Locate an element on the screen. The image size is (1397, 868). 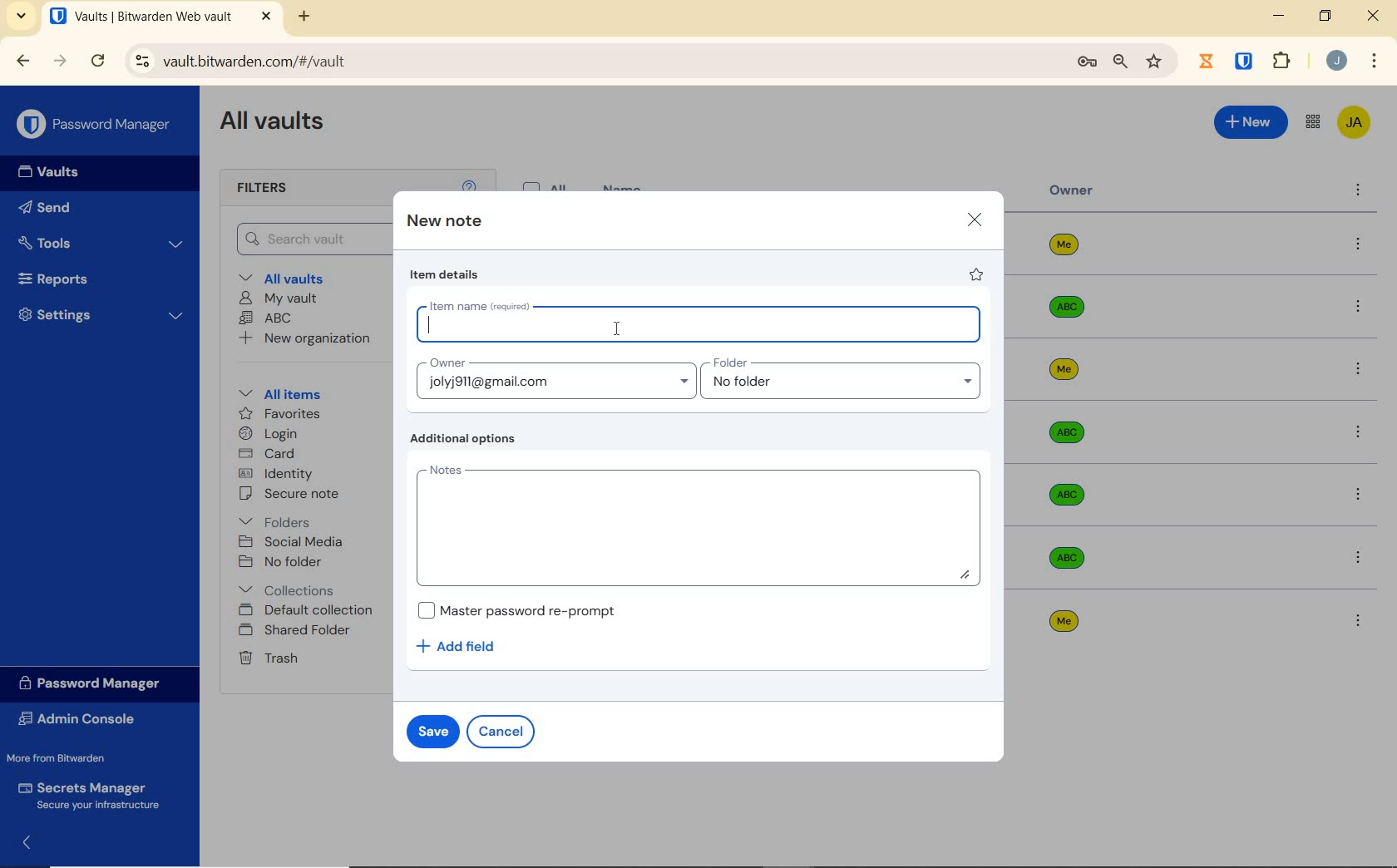
more options is located at coordinates (1359, 372).